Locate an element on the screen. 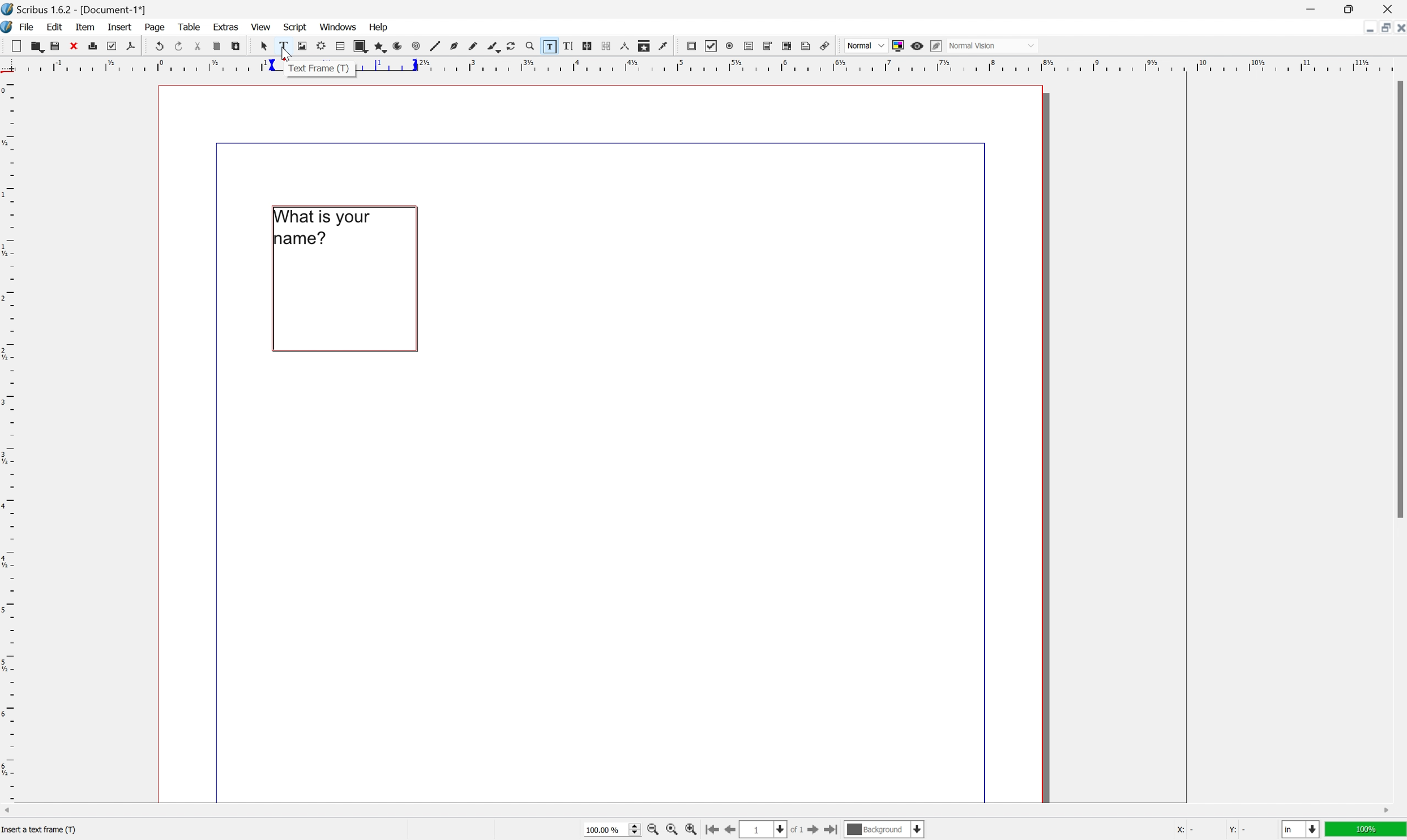 This screenshot has width=1407, height=840. scroll bar is located at coordinates (696, 811).